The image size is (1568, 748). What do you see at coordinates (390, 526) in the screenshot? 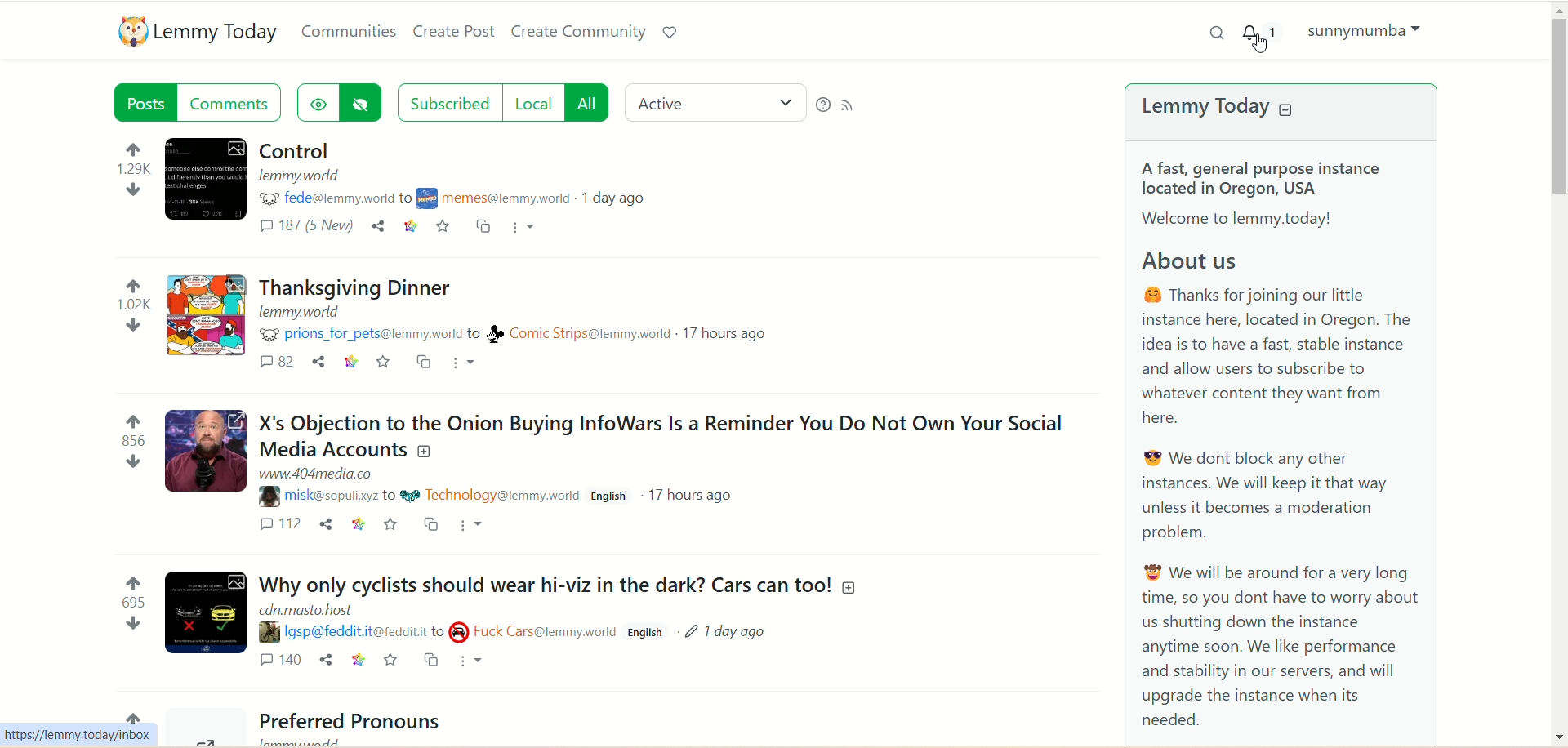
I see `add as favorite` at bounding box center [390, 526].